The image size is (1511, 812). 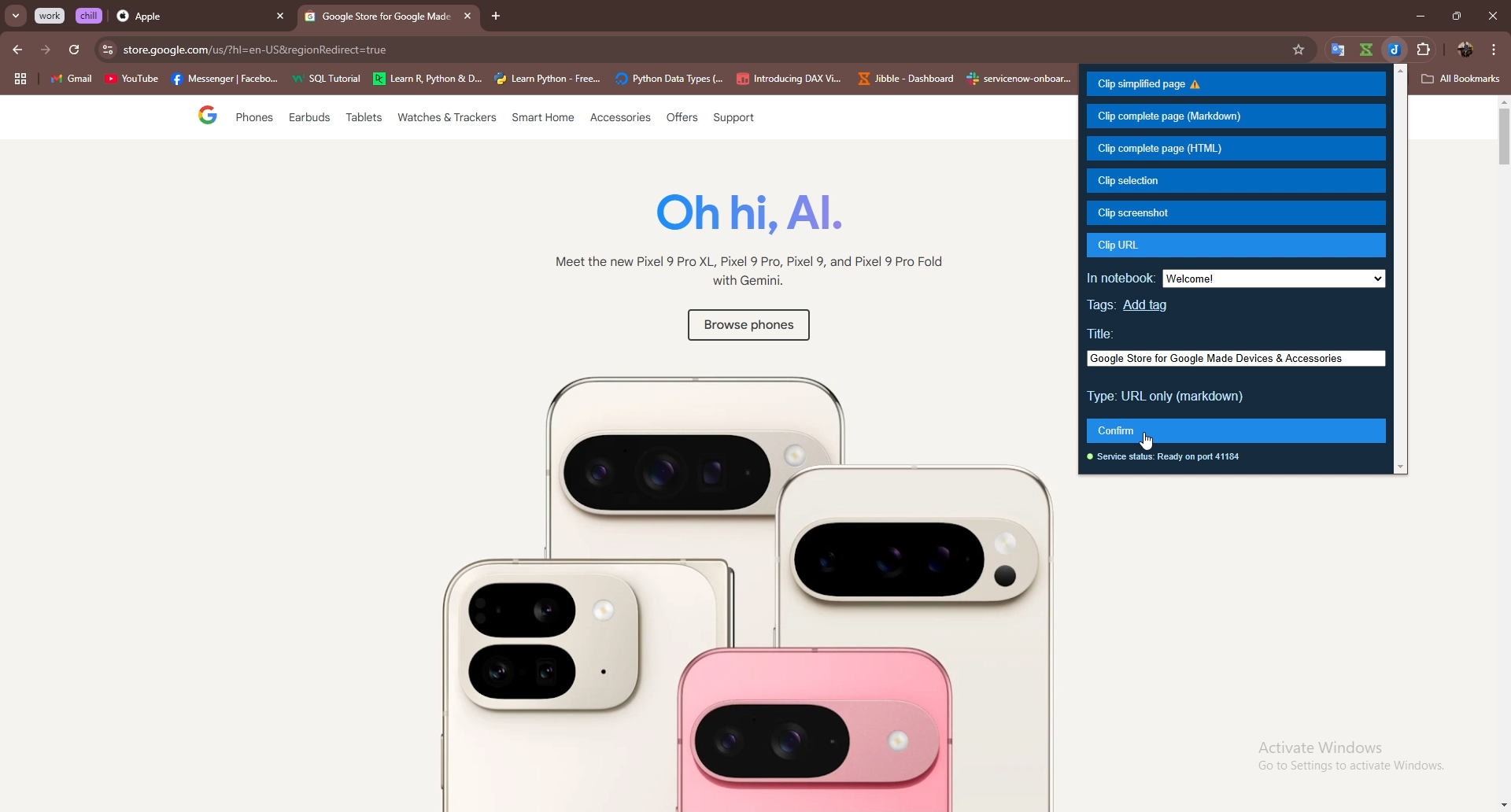 I want to click on welcome, so click(x=1279, y=280).